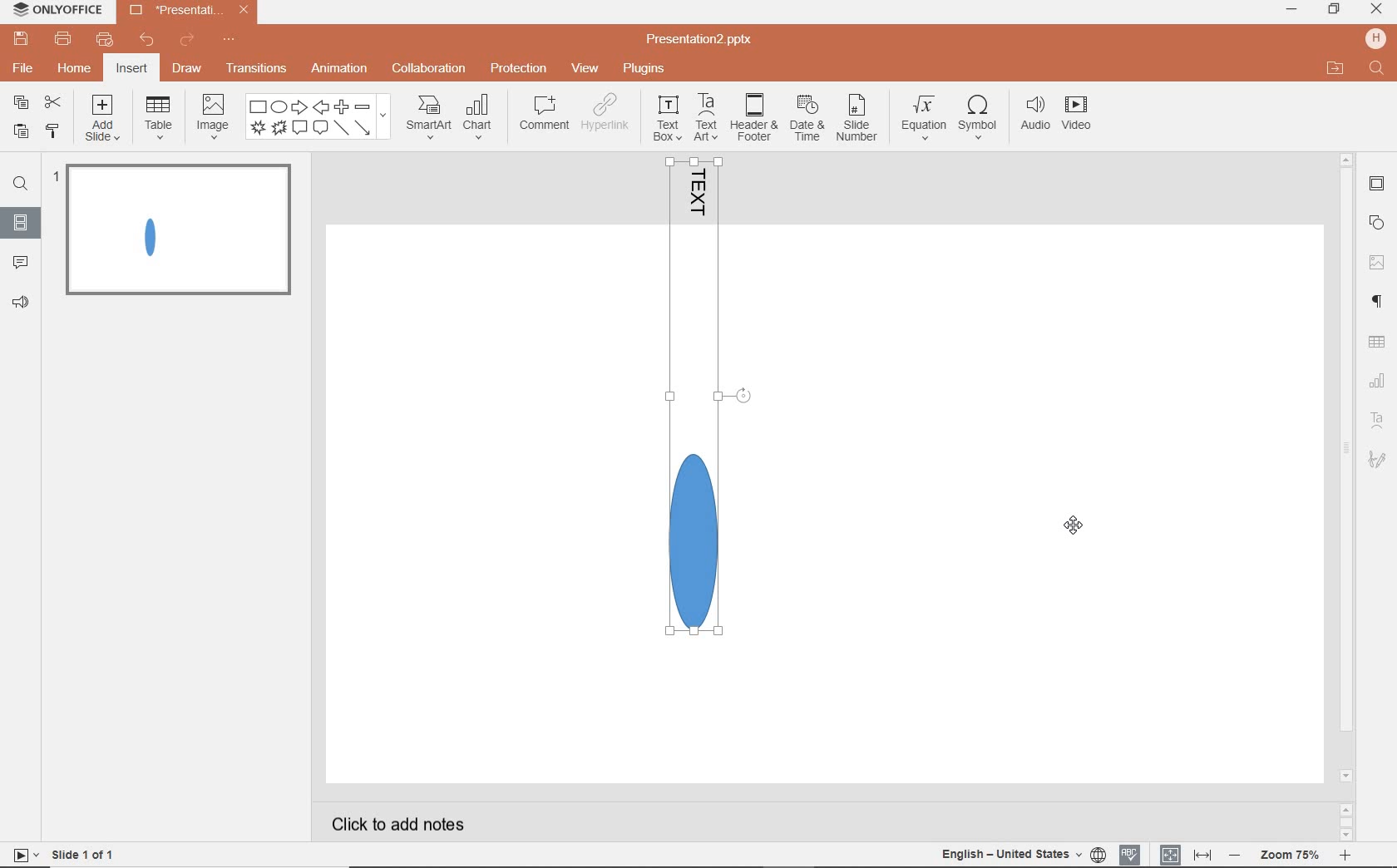  I want to click on copy, so click(21, 102).